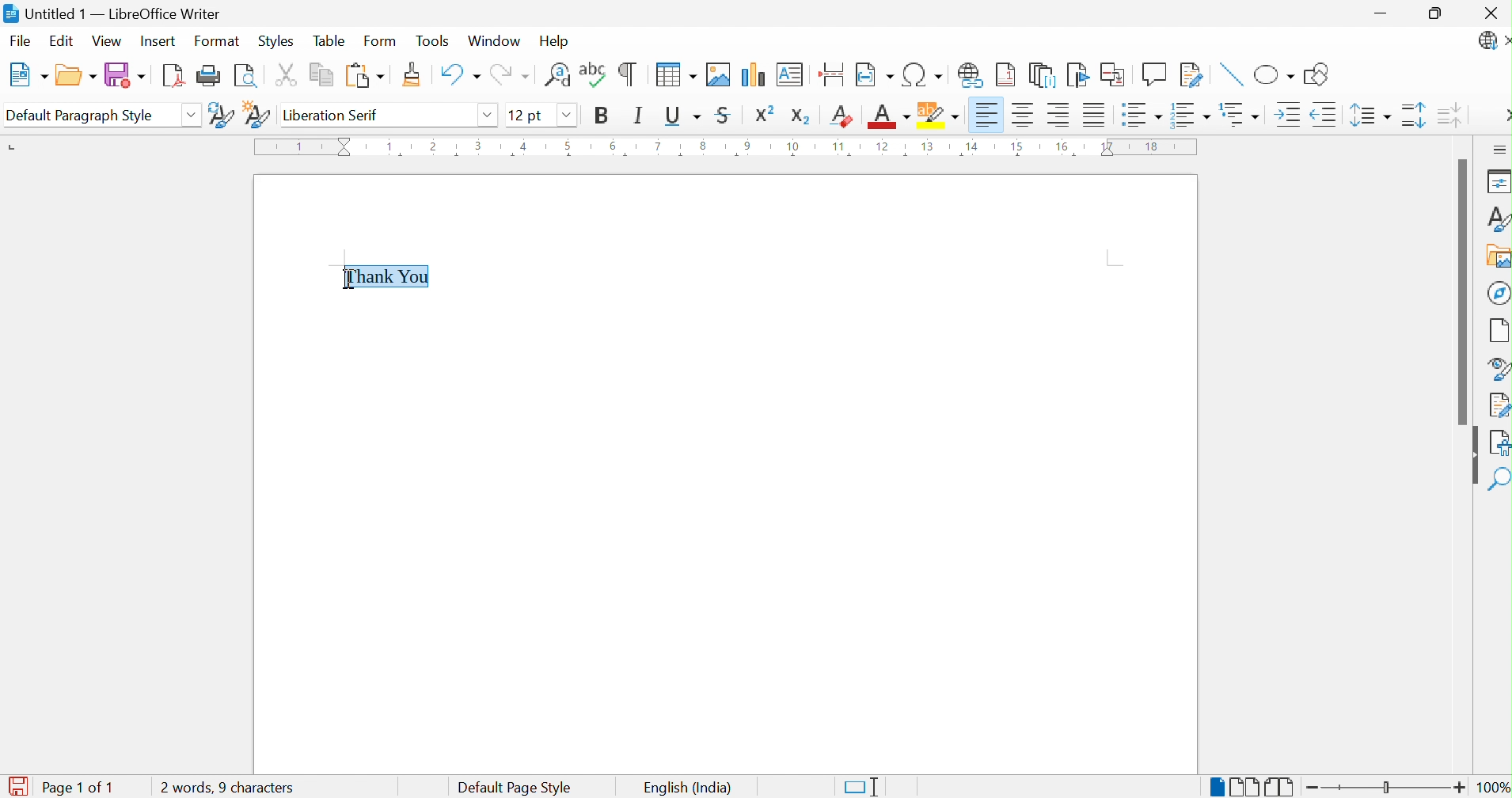  What do you see at coordinates (80, 114) in the screenshot?
I see `Default Paragraph Style` at bounding box center [80, 114].